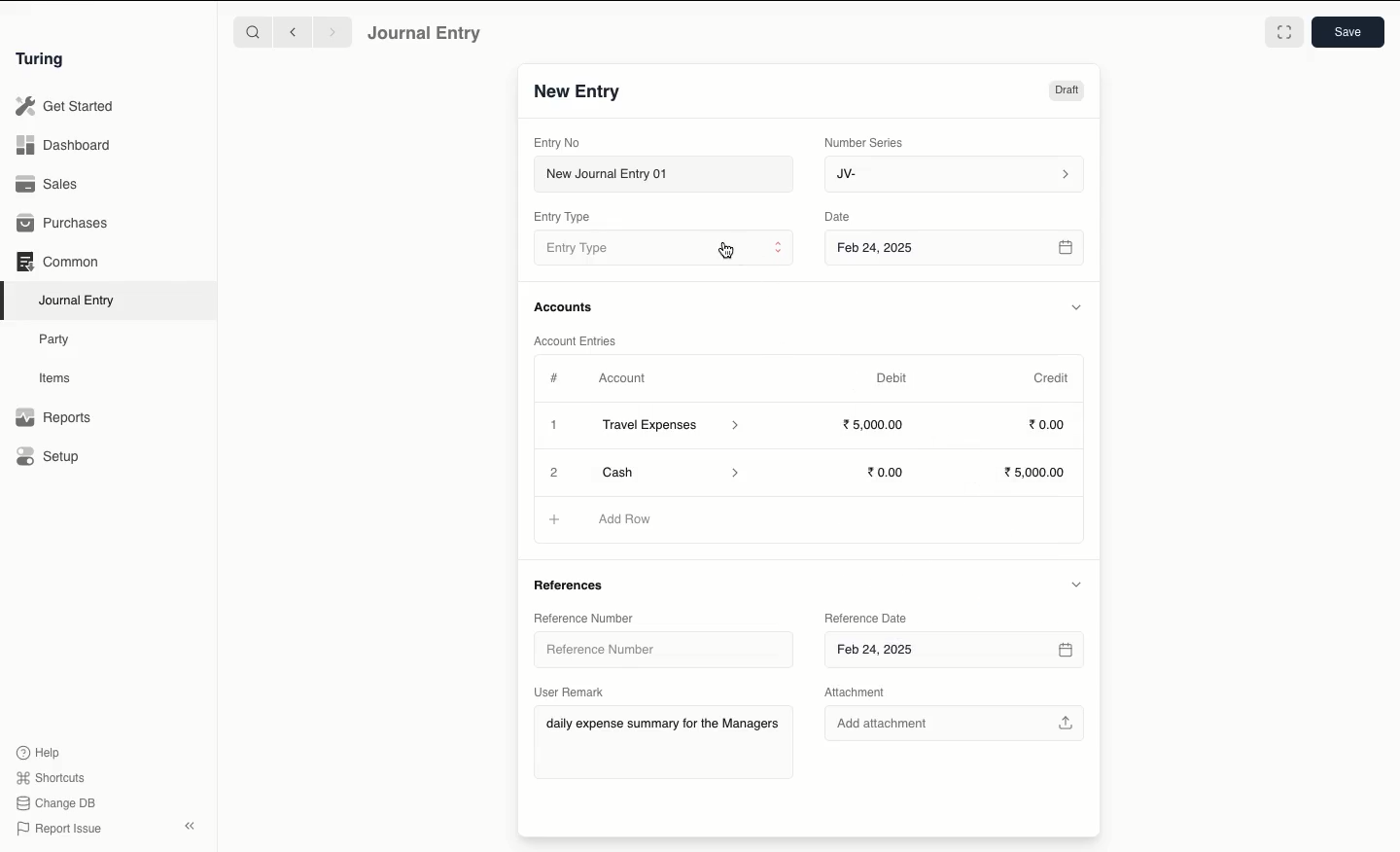 Image resolution: width=1400 pixels, height=852 pixels. What do you see at coordinates (53, 417) in the screenshot?
I see `Reports` at bounding box center [53, 417].